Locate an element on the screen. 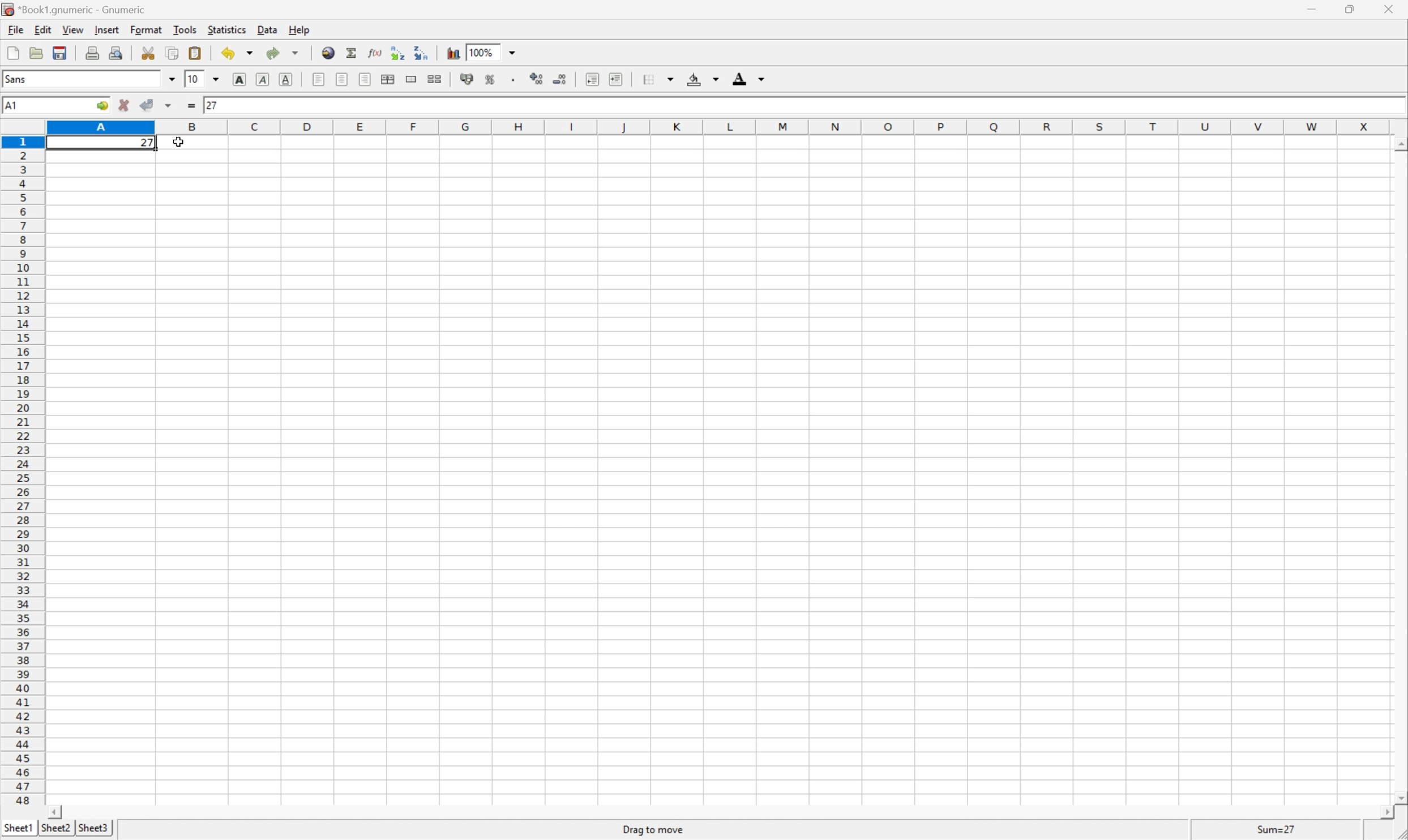 The width and height of the screenshot is (1408, 840). Statistics is located at coordinates (227, 29).